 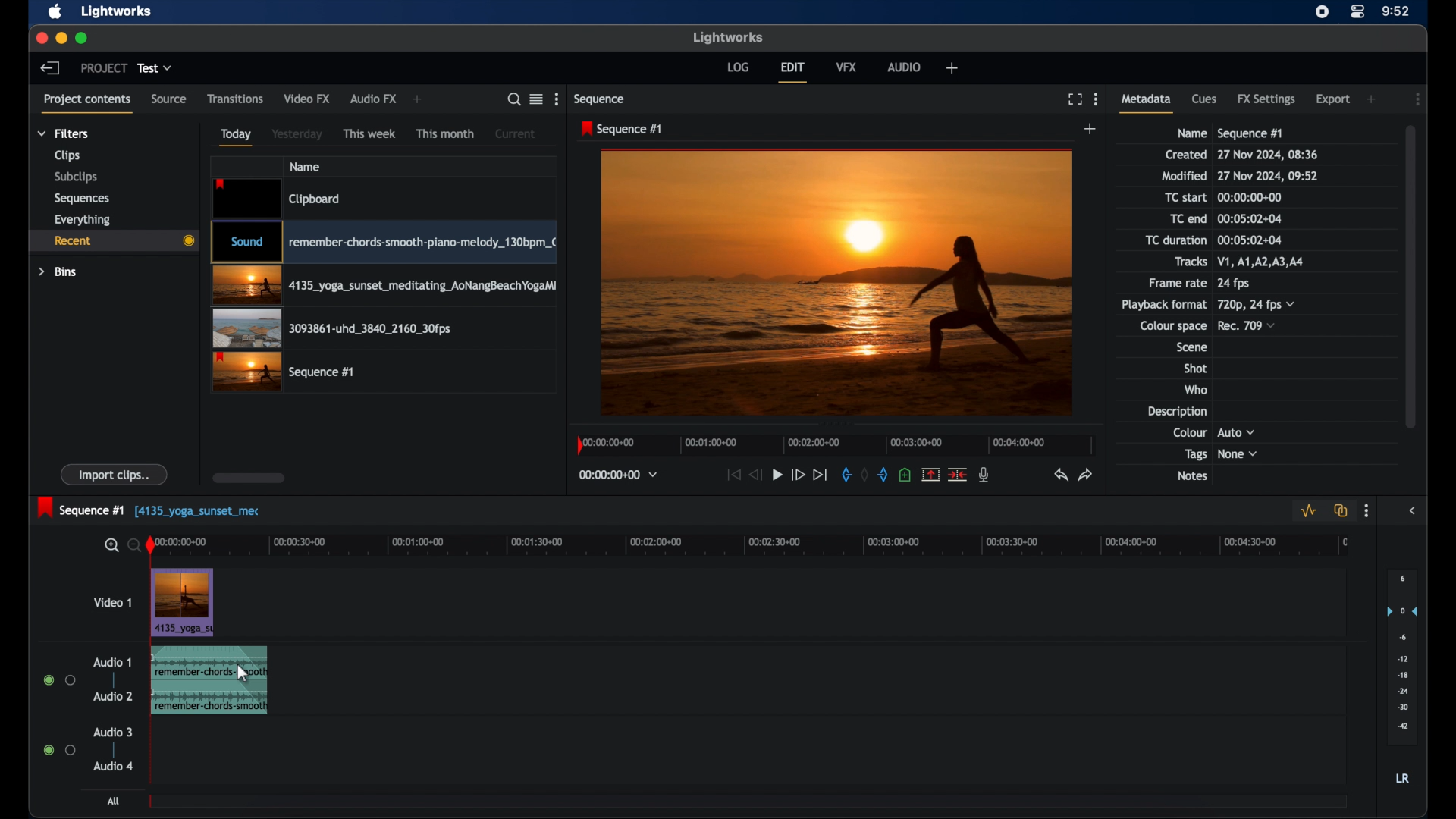 I want to click on timeline scale, so click(x=836, y=445).